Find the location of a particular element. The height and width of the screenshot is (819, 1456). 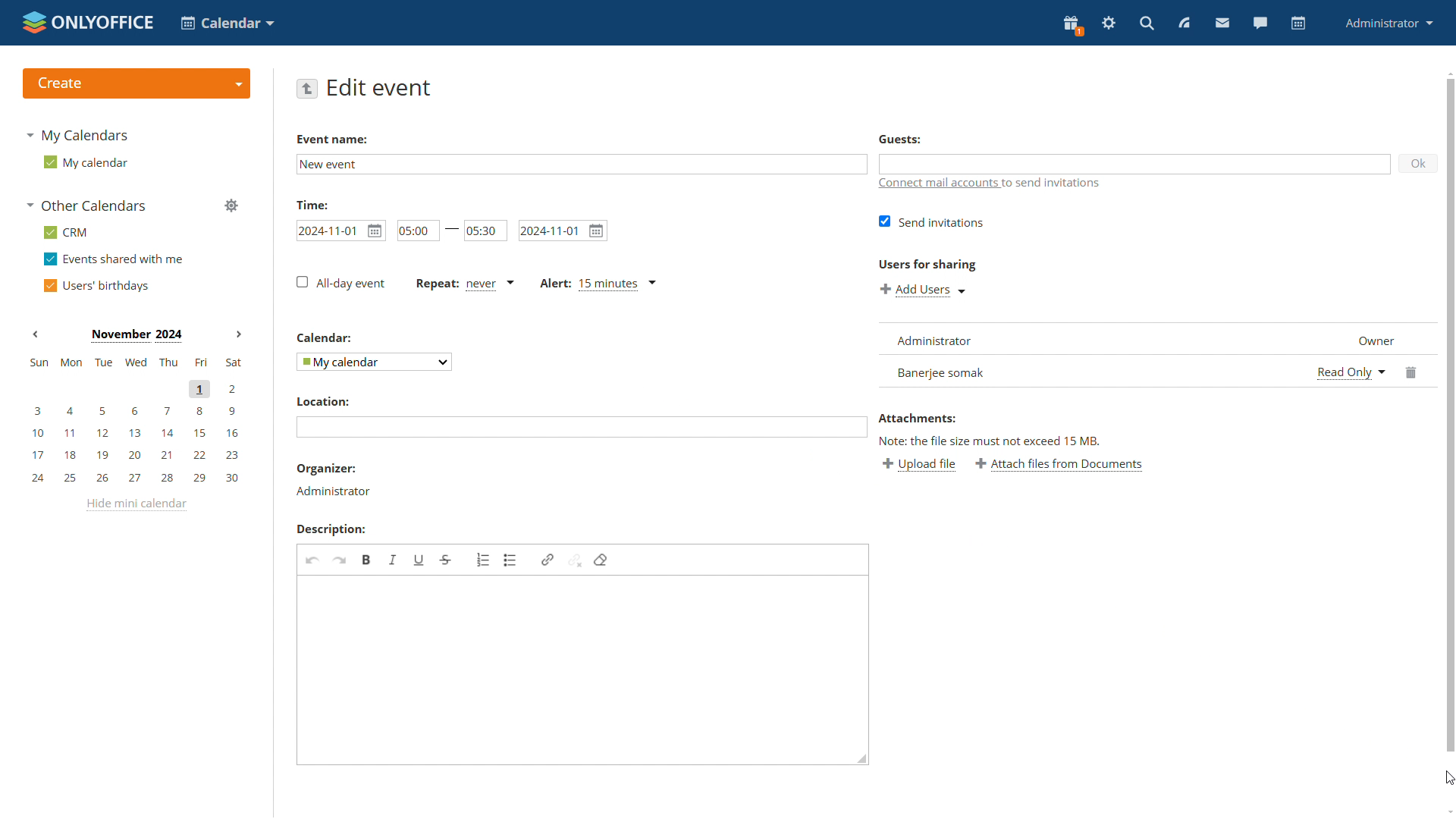

add user is located at coordinates (924, 291).